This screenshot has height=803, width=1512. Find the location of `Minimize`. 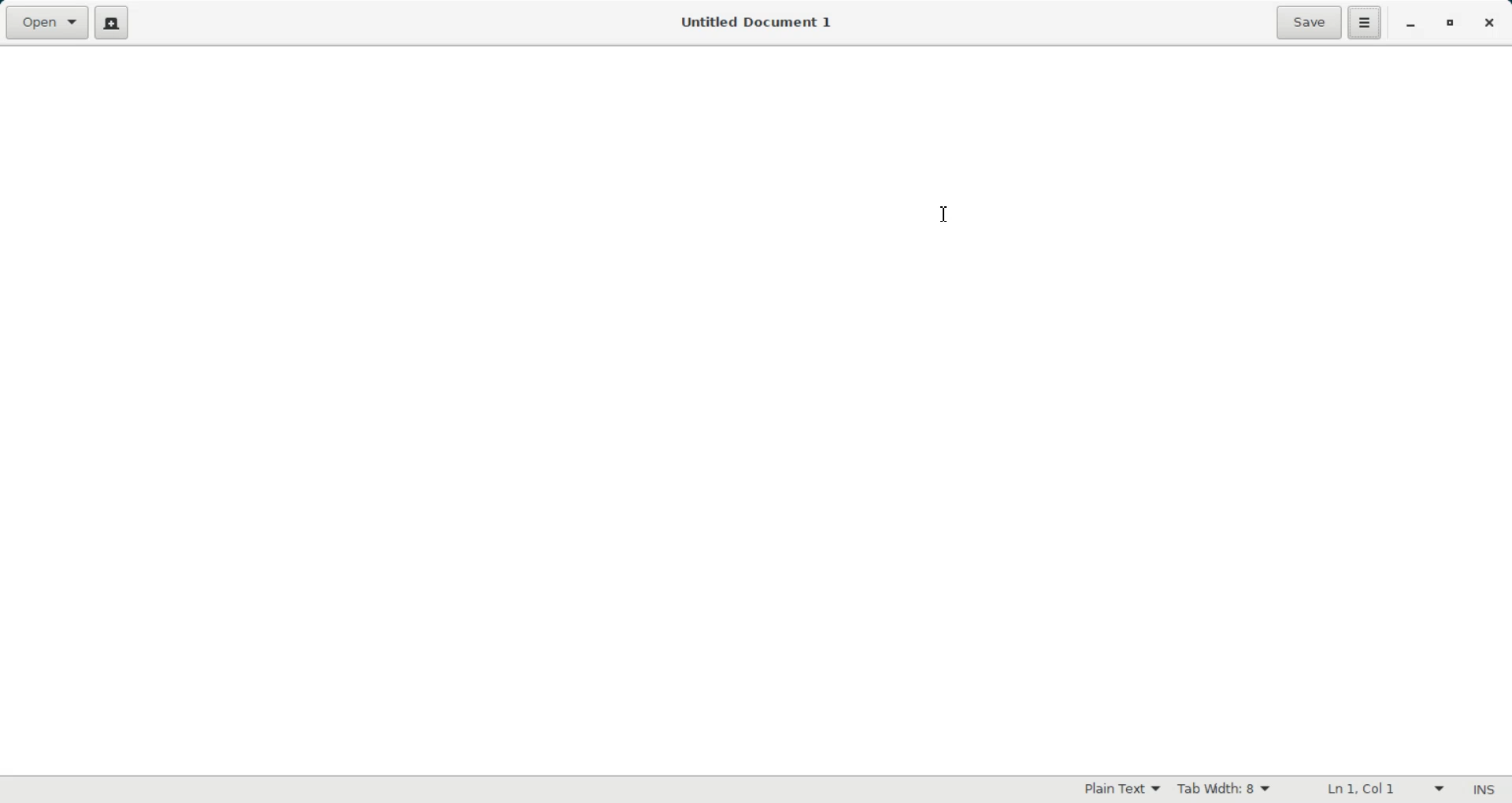

Minimize is located at coordinates (1410, 24).